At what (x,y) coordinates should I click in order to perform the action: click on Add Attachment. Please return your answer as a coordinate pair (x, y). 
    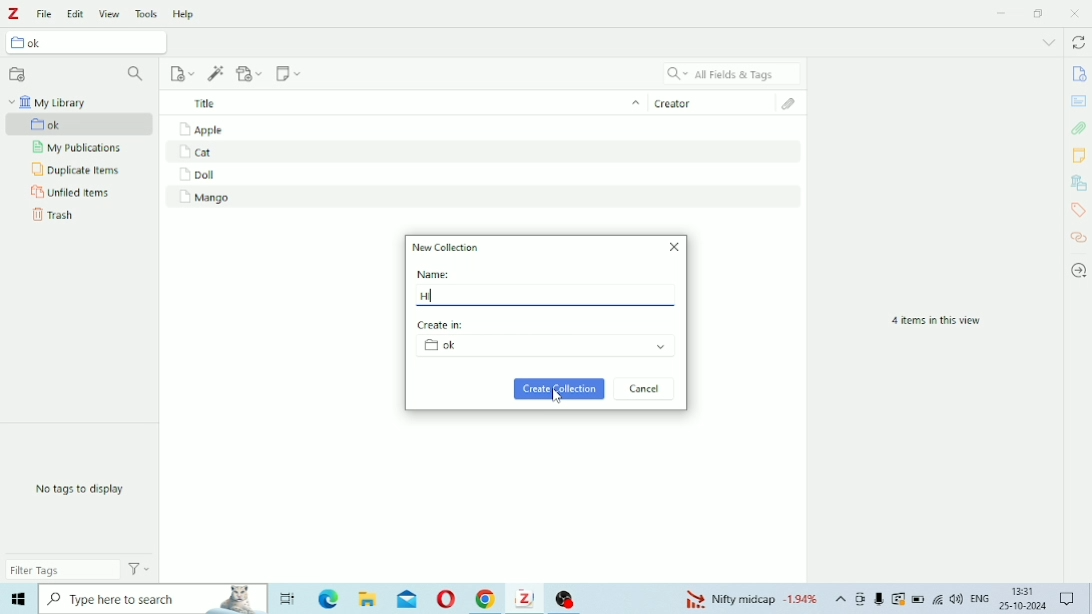
    Looking at the image, I should click on (251, 73).